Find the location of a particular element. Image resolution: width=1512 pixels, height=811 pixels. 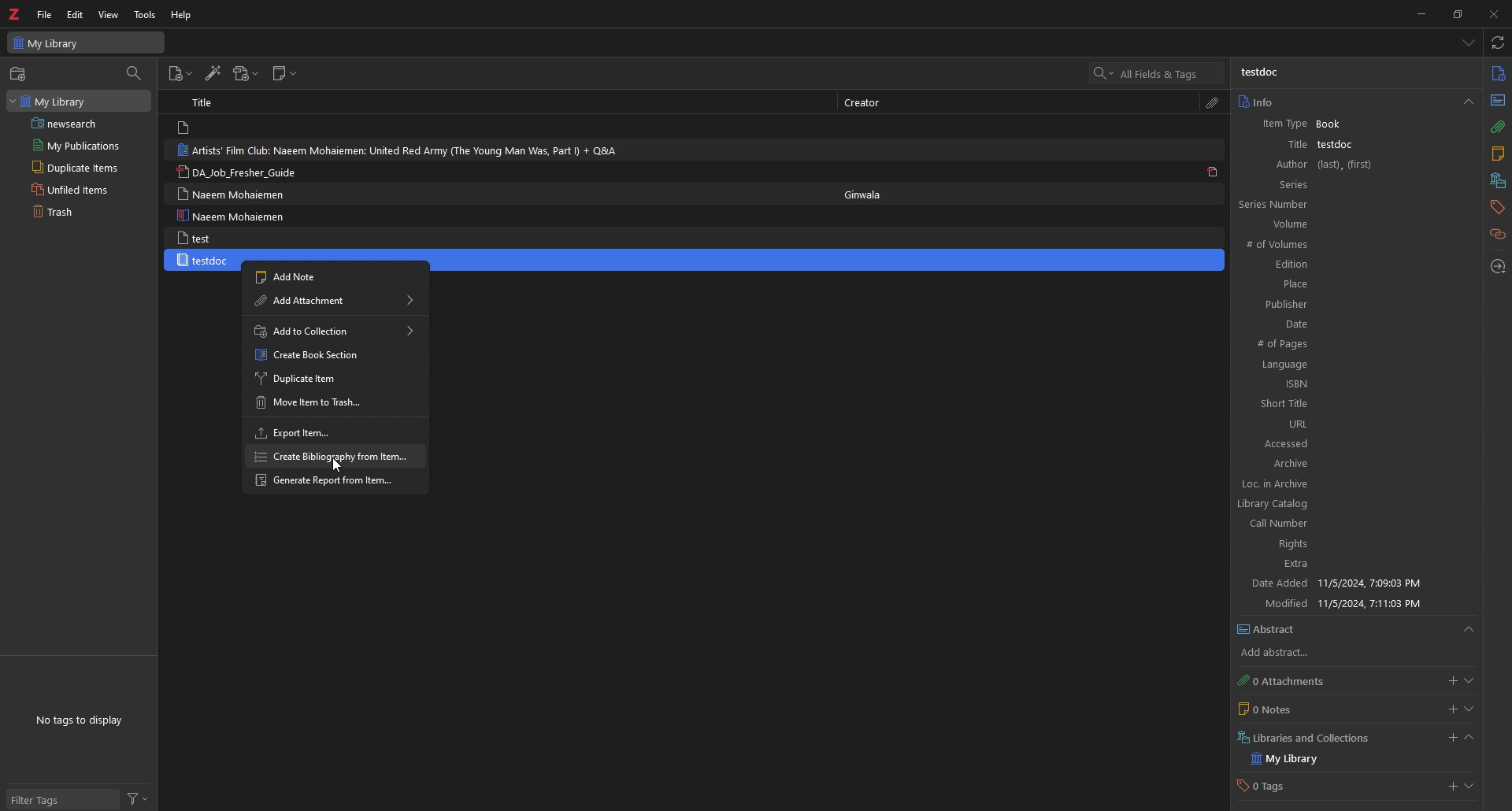

item Type is located at coordinates (1279, 125).